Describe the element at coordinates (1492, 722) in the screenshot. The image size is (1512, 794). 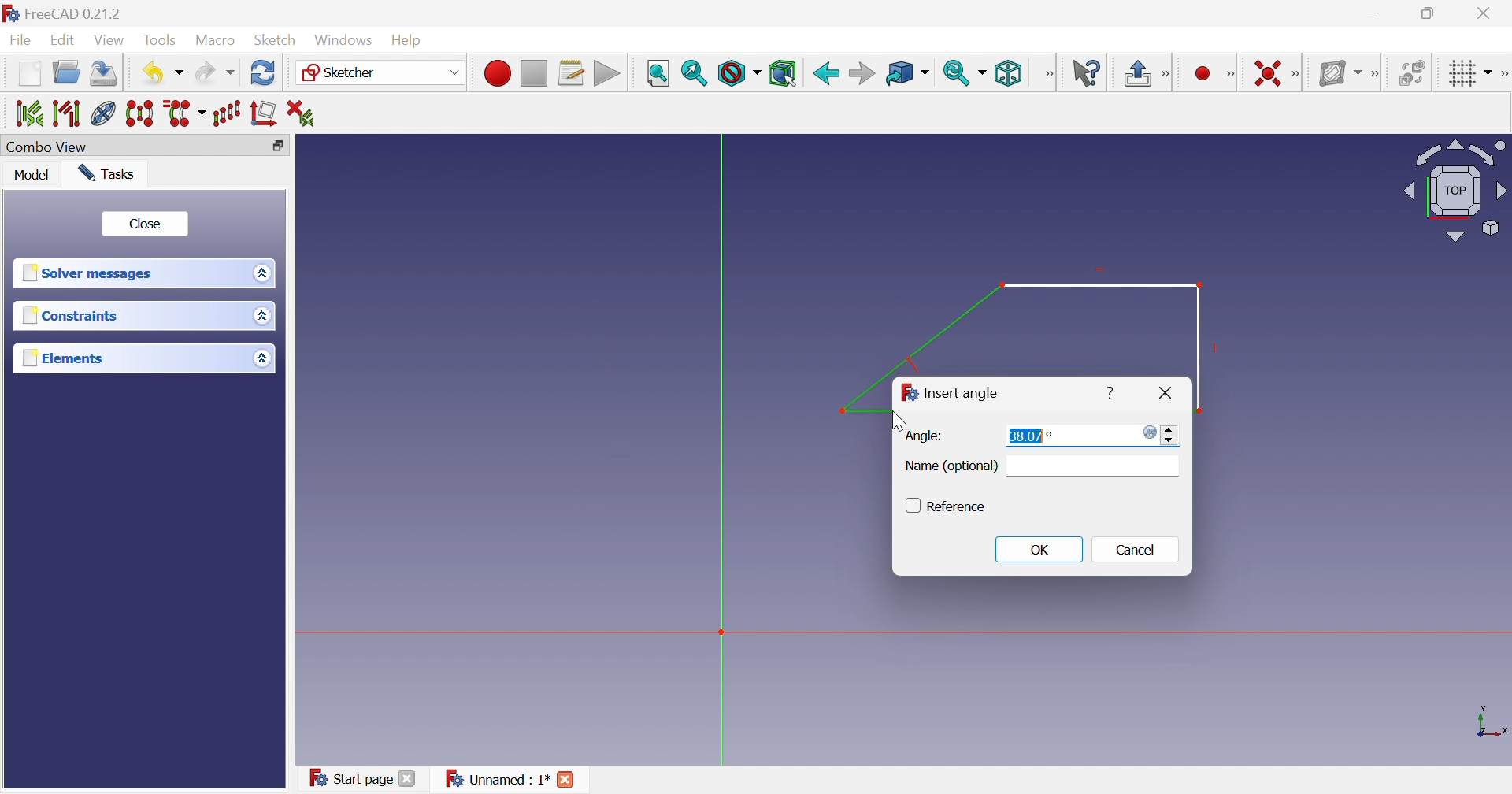
I see `X, Y plane` at that location.